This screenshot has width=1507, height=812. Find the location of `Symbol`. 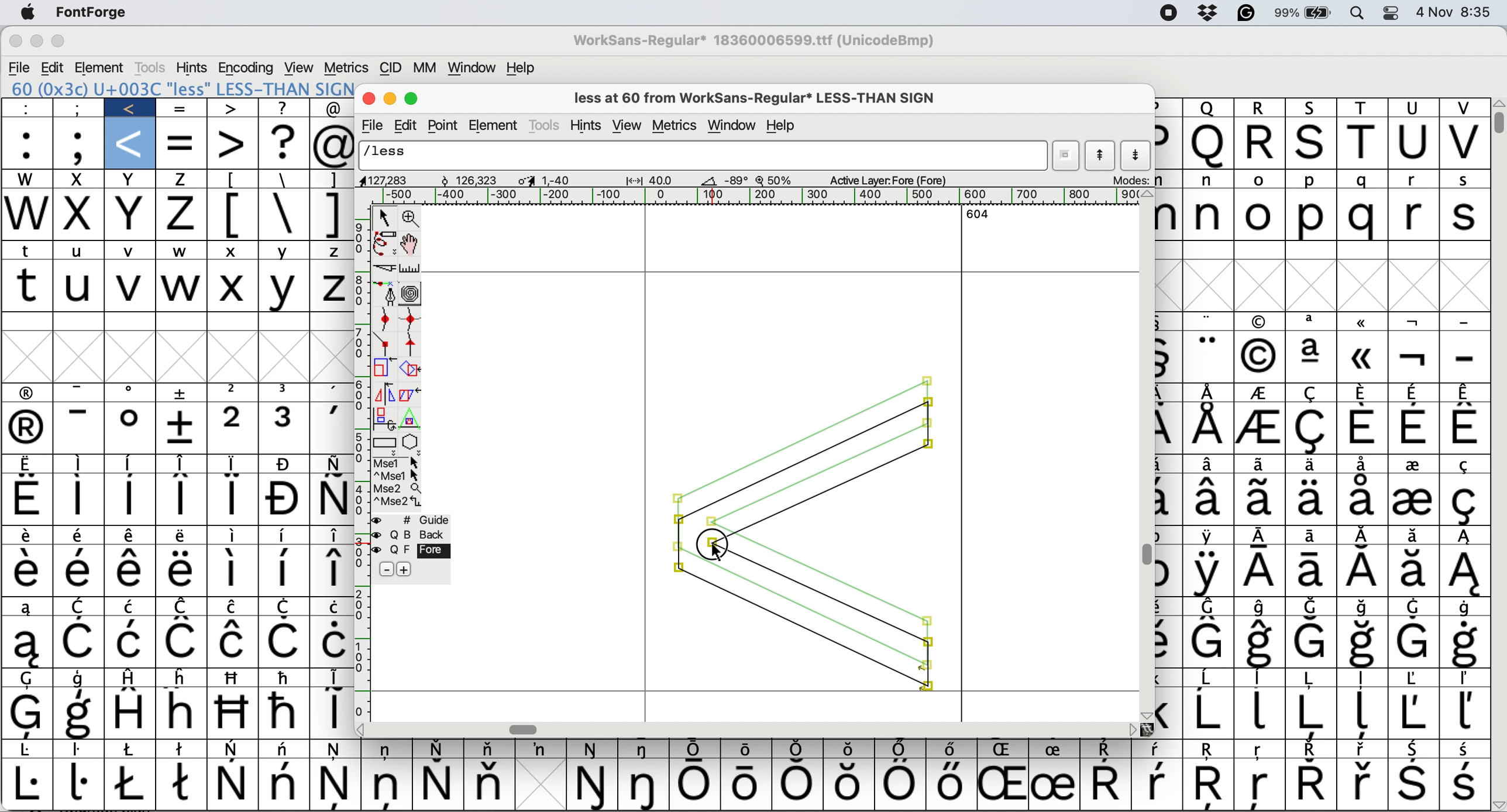

Symbol is located at coordinates (592, 786).